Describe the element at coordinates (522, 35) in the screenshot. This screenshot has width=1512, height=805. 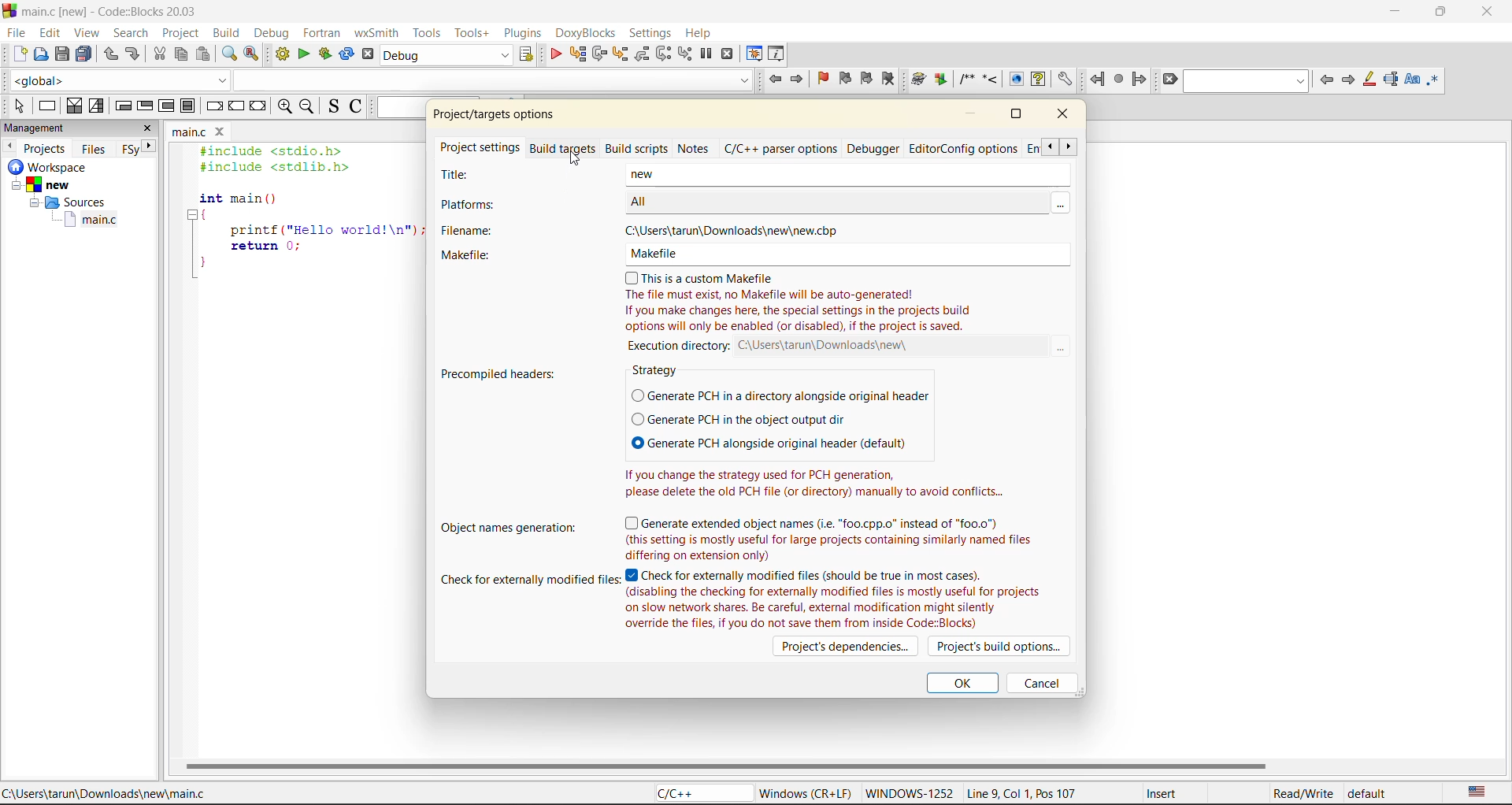
I see `plugins` at that location.